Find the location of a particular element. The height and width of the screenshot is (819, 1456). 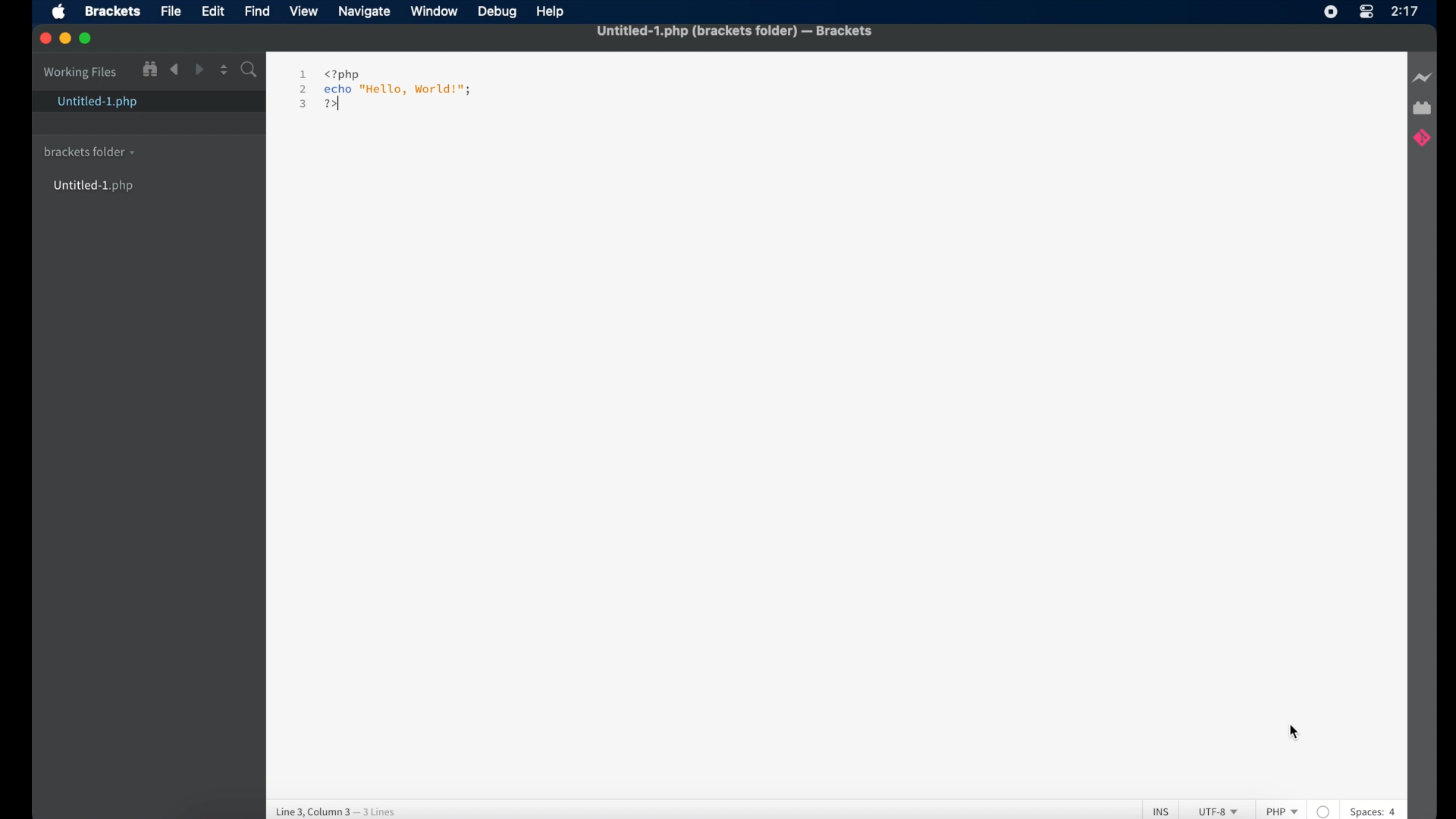

forward is located at coordinates (198, 69).